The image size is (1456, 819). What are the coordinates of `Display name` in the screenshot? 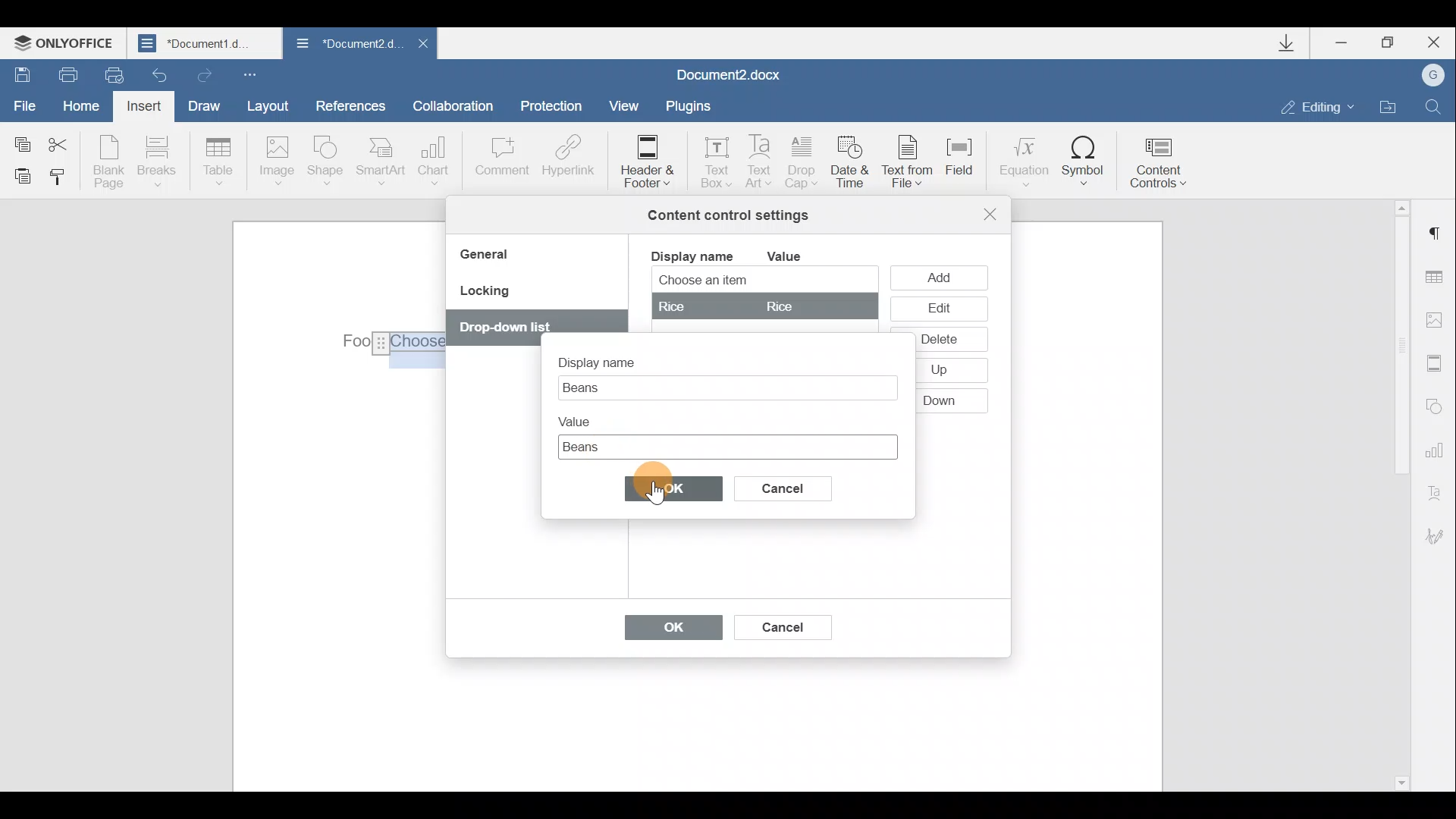 It's located at (691, 255).